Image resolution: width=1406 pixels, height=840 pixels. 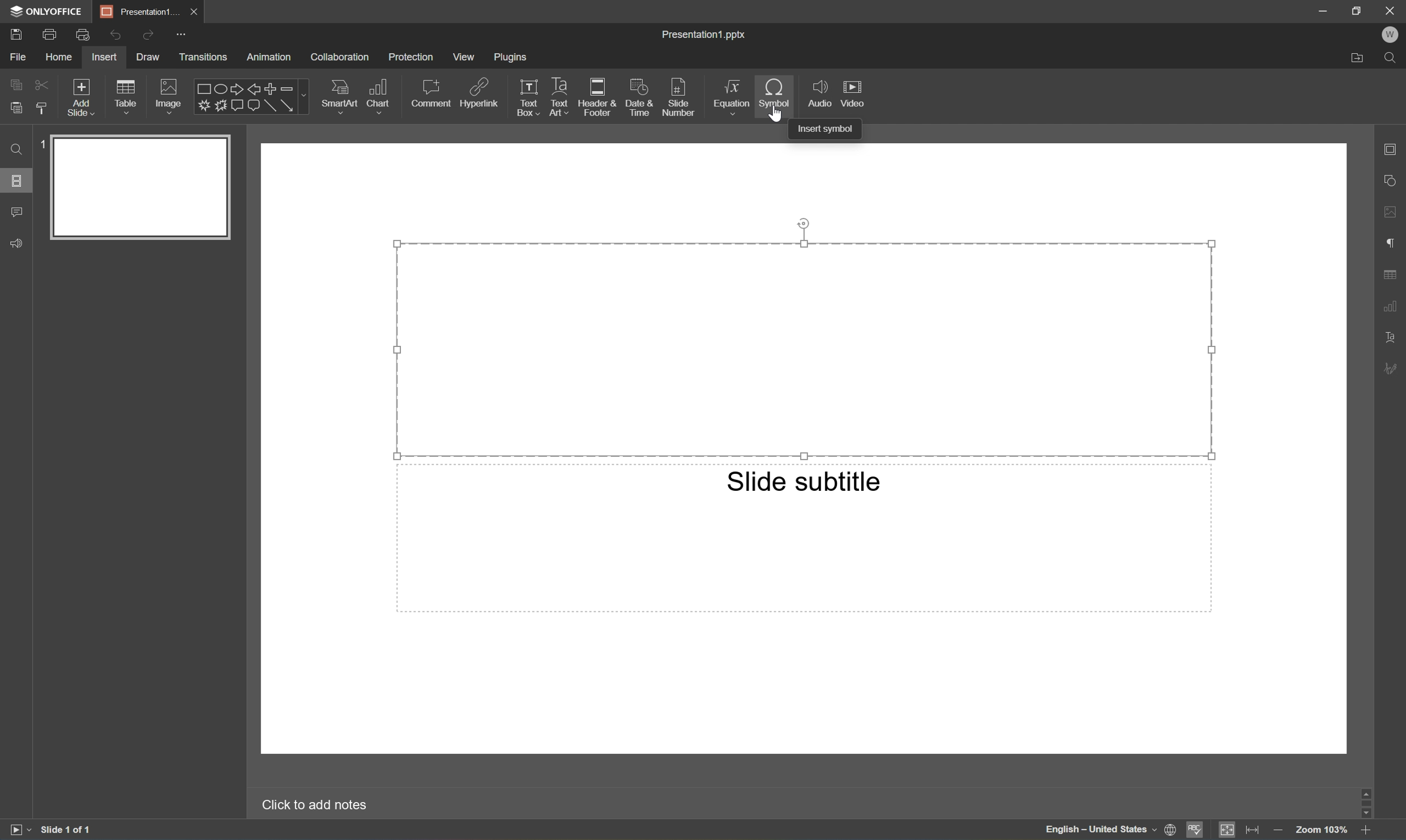 I want to click on Add slide, so click(x=79, y=97).